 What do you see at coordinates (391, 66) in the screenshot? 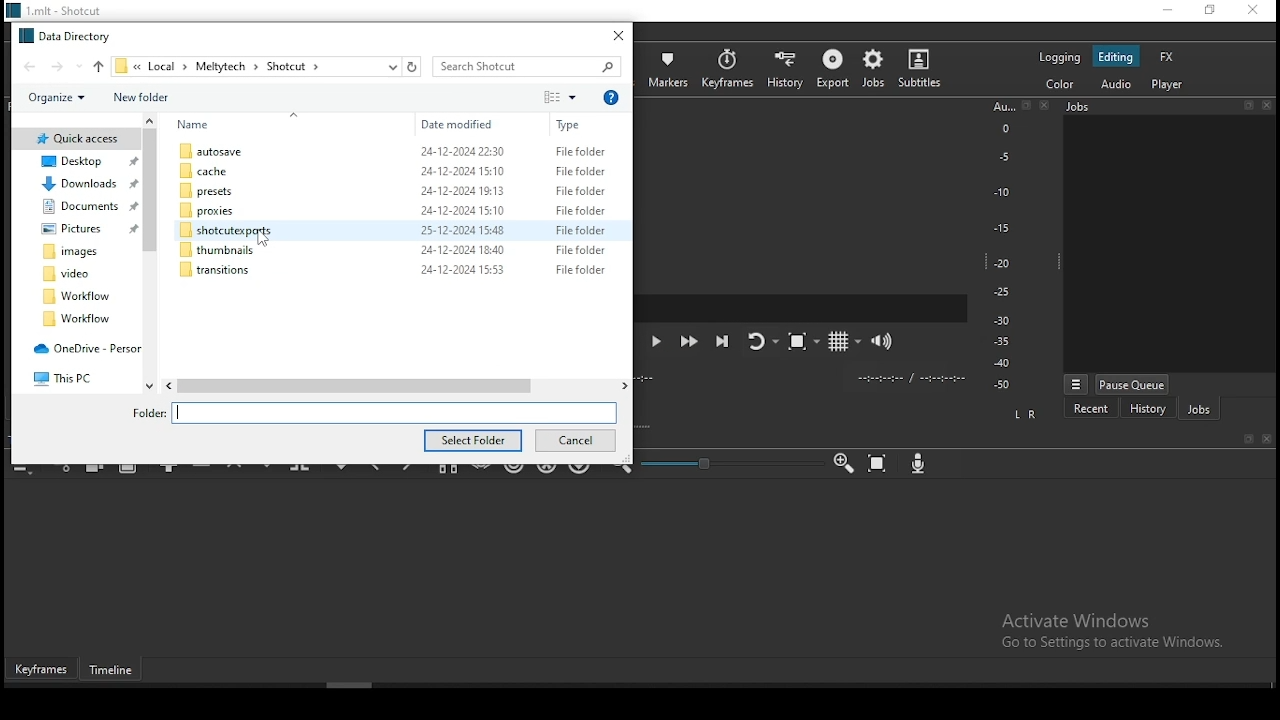
I see `recent locations` at bounding box center [391, 66].